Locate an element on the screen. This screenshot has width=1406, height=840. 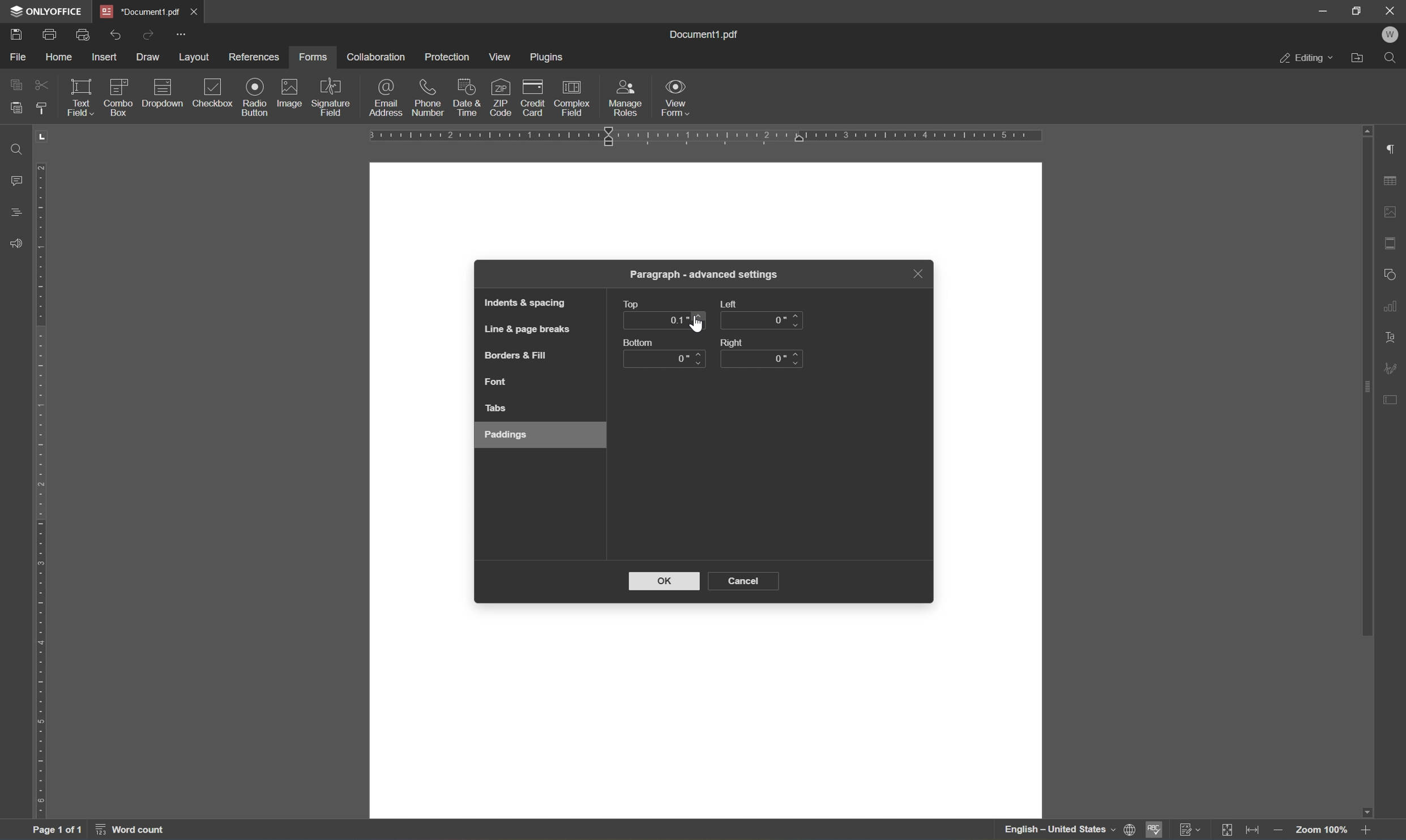
document.pdf is located at coordinates (710, 34).